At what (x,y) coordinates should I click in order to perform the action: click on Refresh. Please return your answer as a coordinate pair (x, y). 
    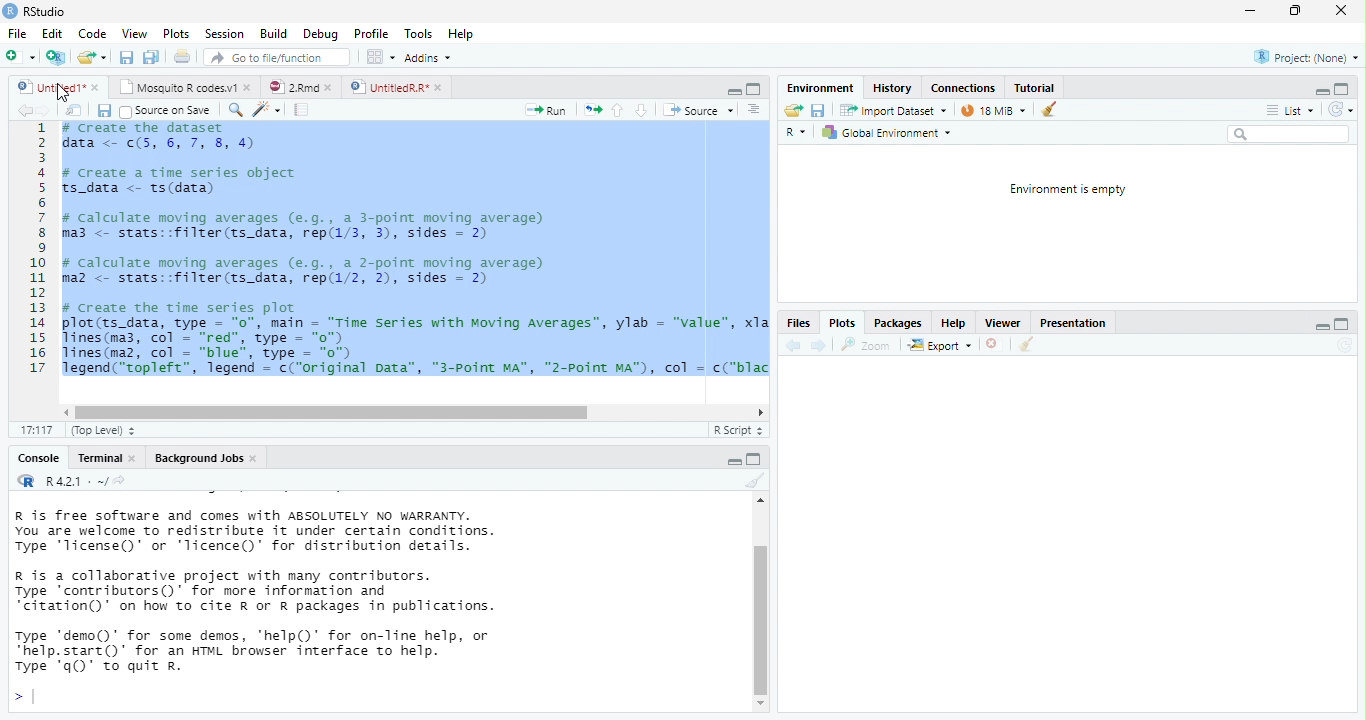
    Looking at the image, I should click on (1341, 110).